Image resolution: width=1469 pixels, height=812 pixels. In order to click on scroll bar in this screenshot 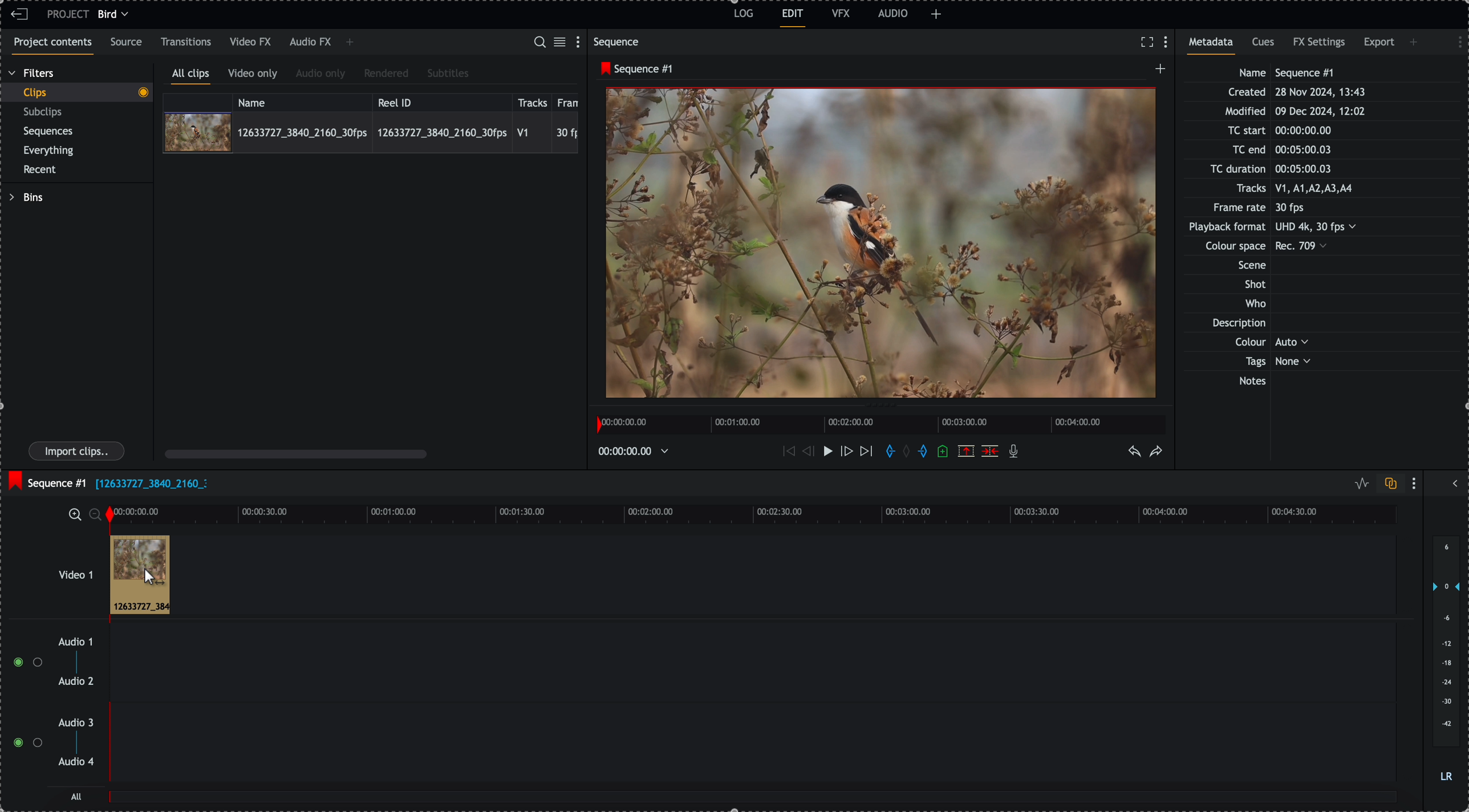, I will do `click(296, 453)`.